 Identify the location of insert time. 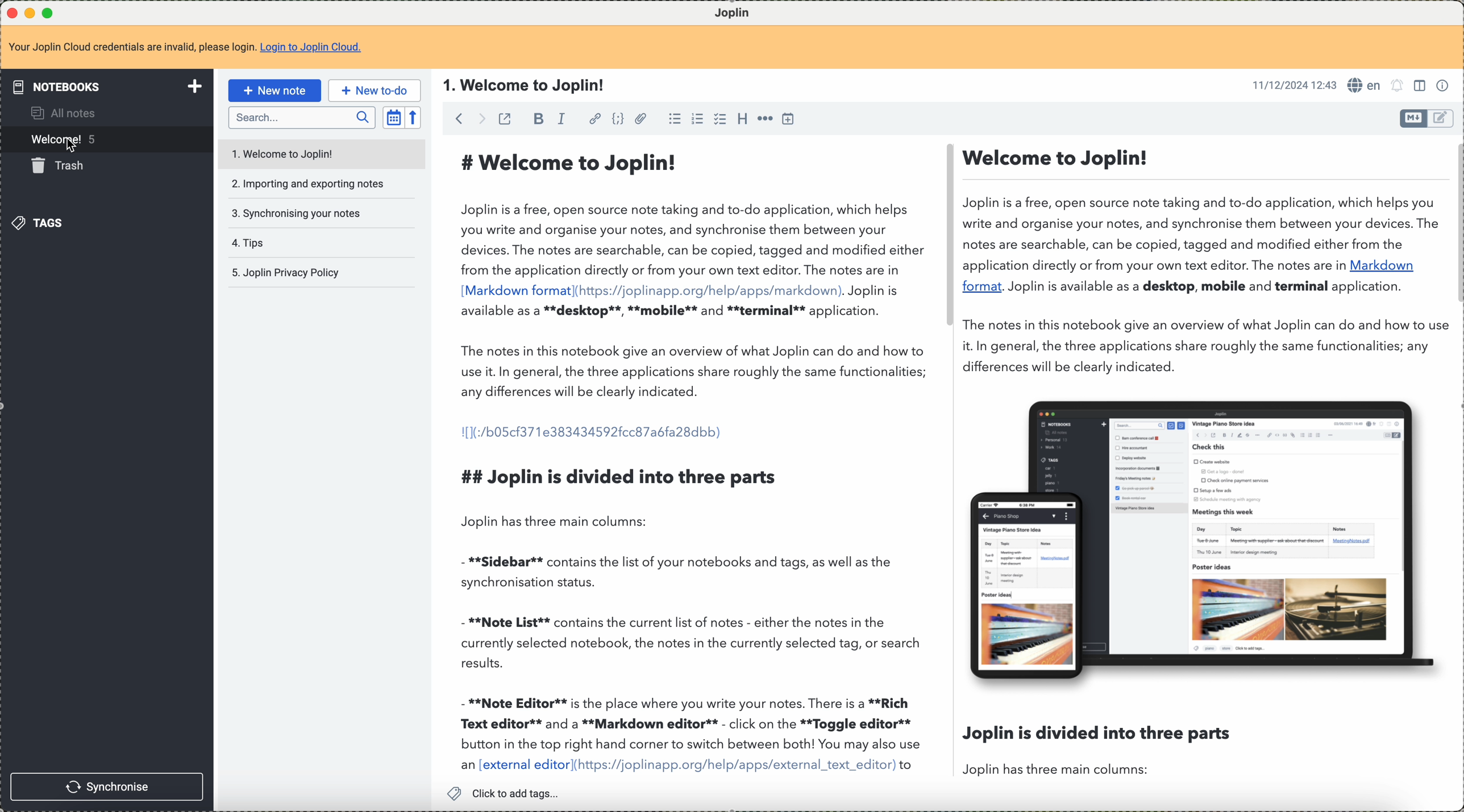
(790, 119).